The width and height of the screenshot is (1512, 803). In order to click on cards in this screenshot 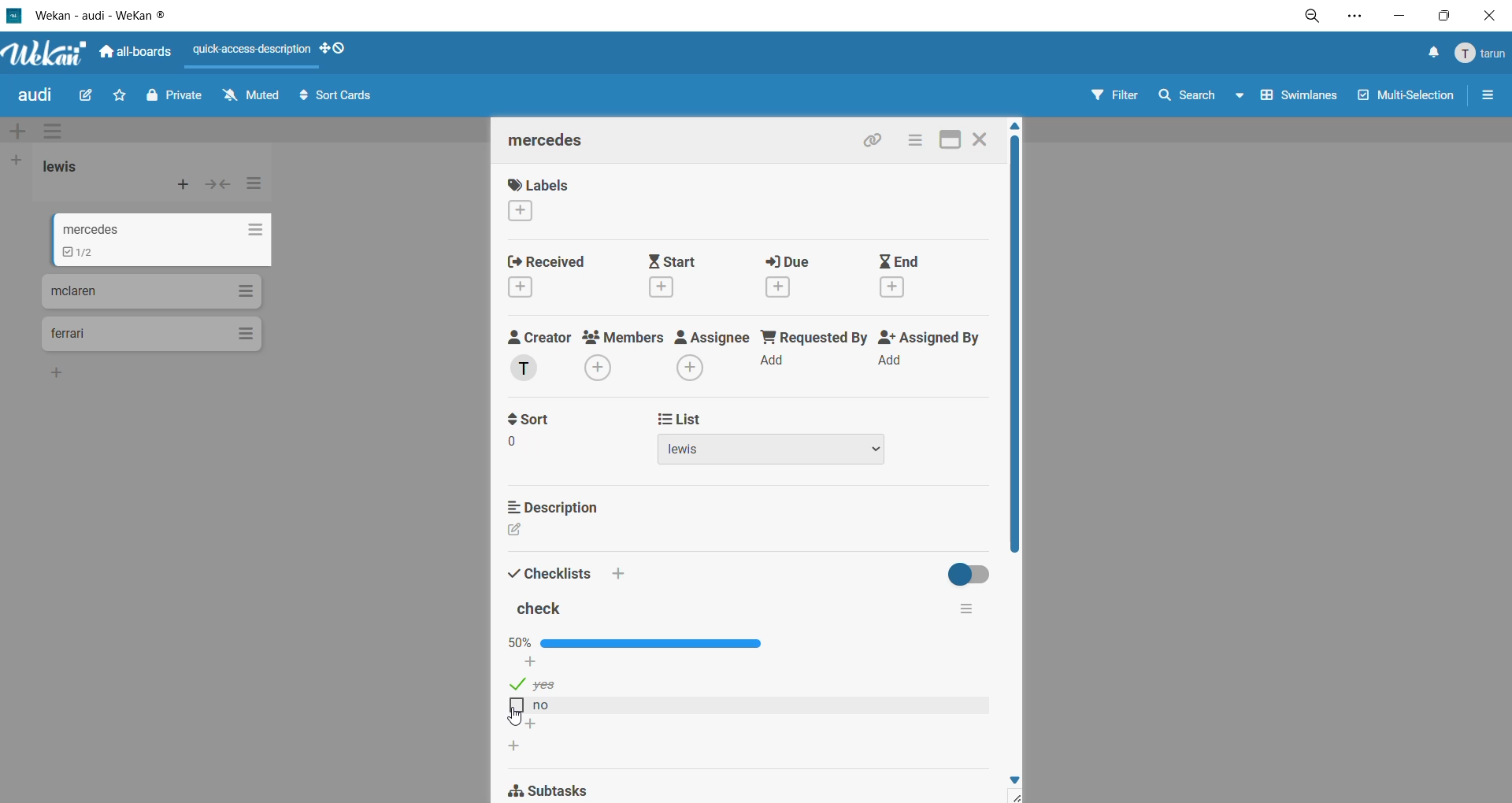, I will do `click(154, 290)`.